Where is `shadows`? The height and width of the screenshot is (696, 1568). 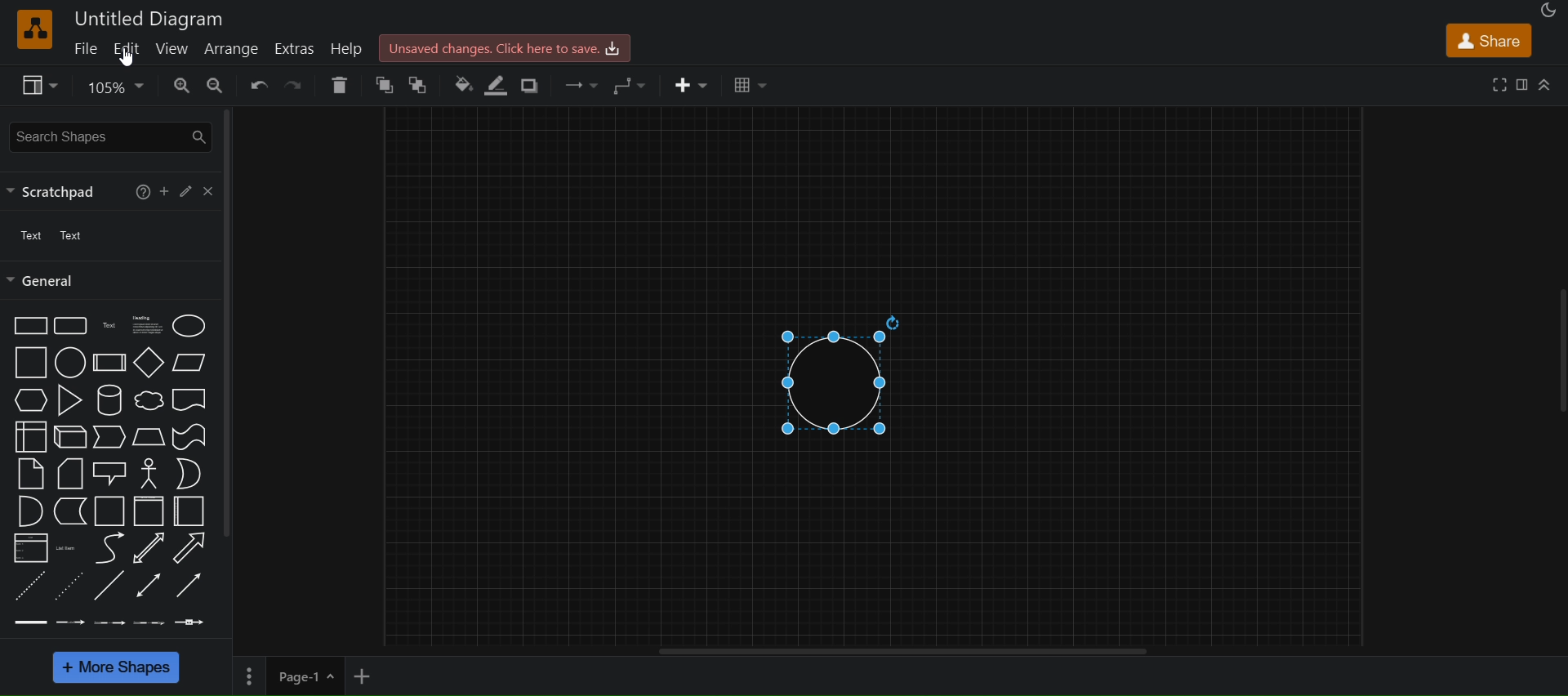 shadows is located at coordinates (531, 87).